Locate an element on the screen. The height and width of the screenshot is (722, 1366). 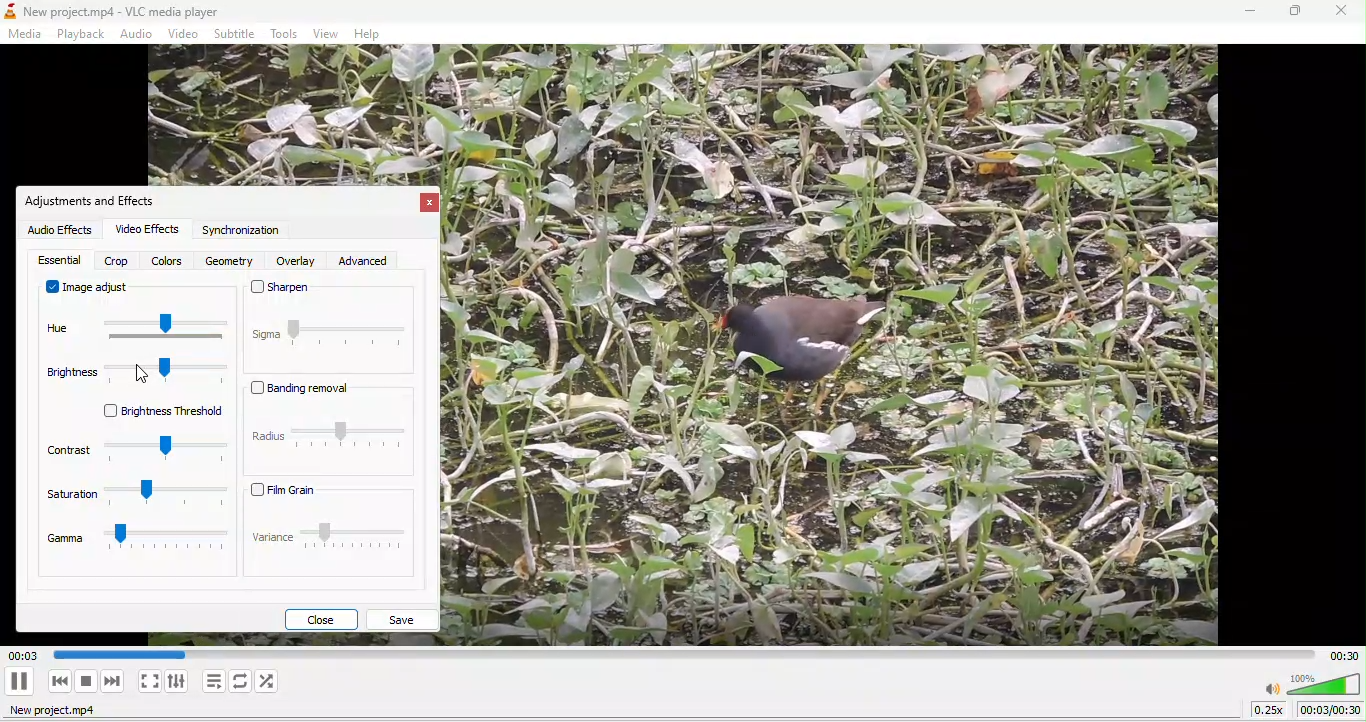
hue is located at coordinates (136, 331).